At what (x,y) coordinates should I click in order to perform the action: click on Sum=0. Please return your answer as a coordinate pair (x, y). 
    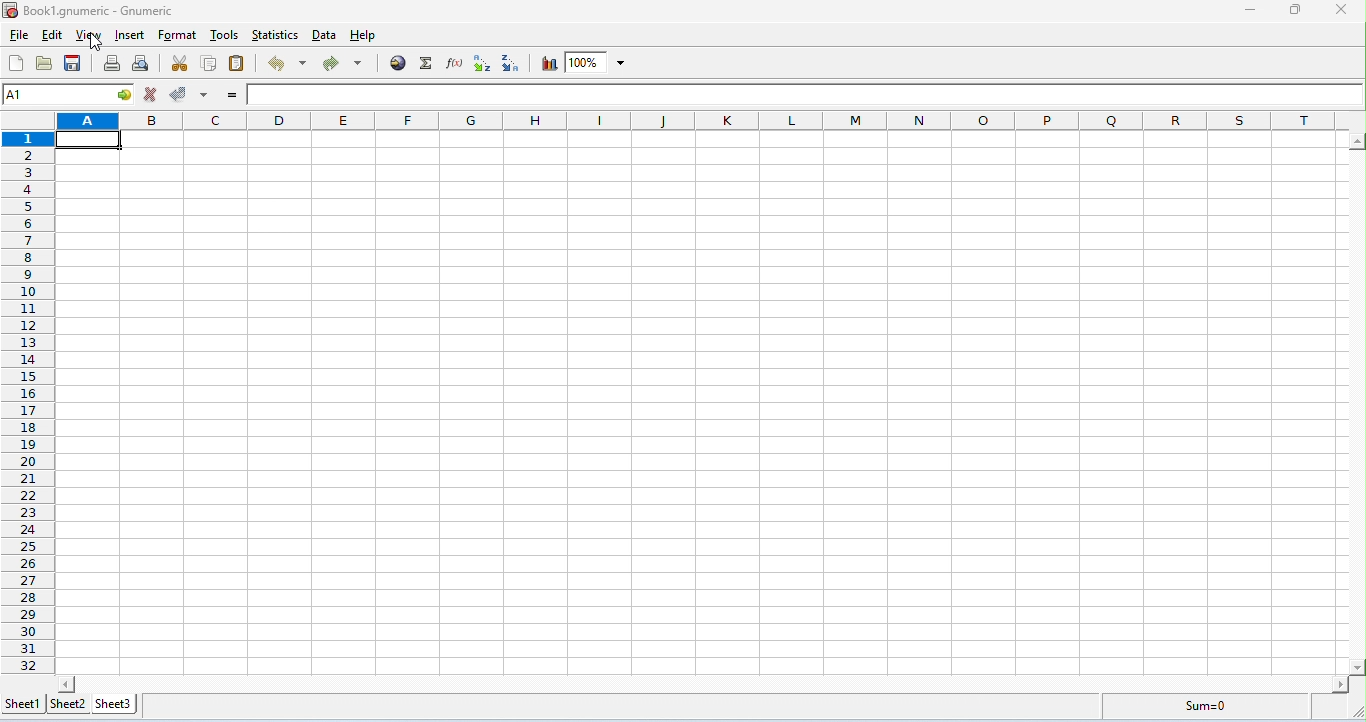
    Looking at the image, I should click on (1198, 707).